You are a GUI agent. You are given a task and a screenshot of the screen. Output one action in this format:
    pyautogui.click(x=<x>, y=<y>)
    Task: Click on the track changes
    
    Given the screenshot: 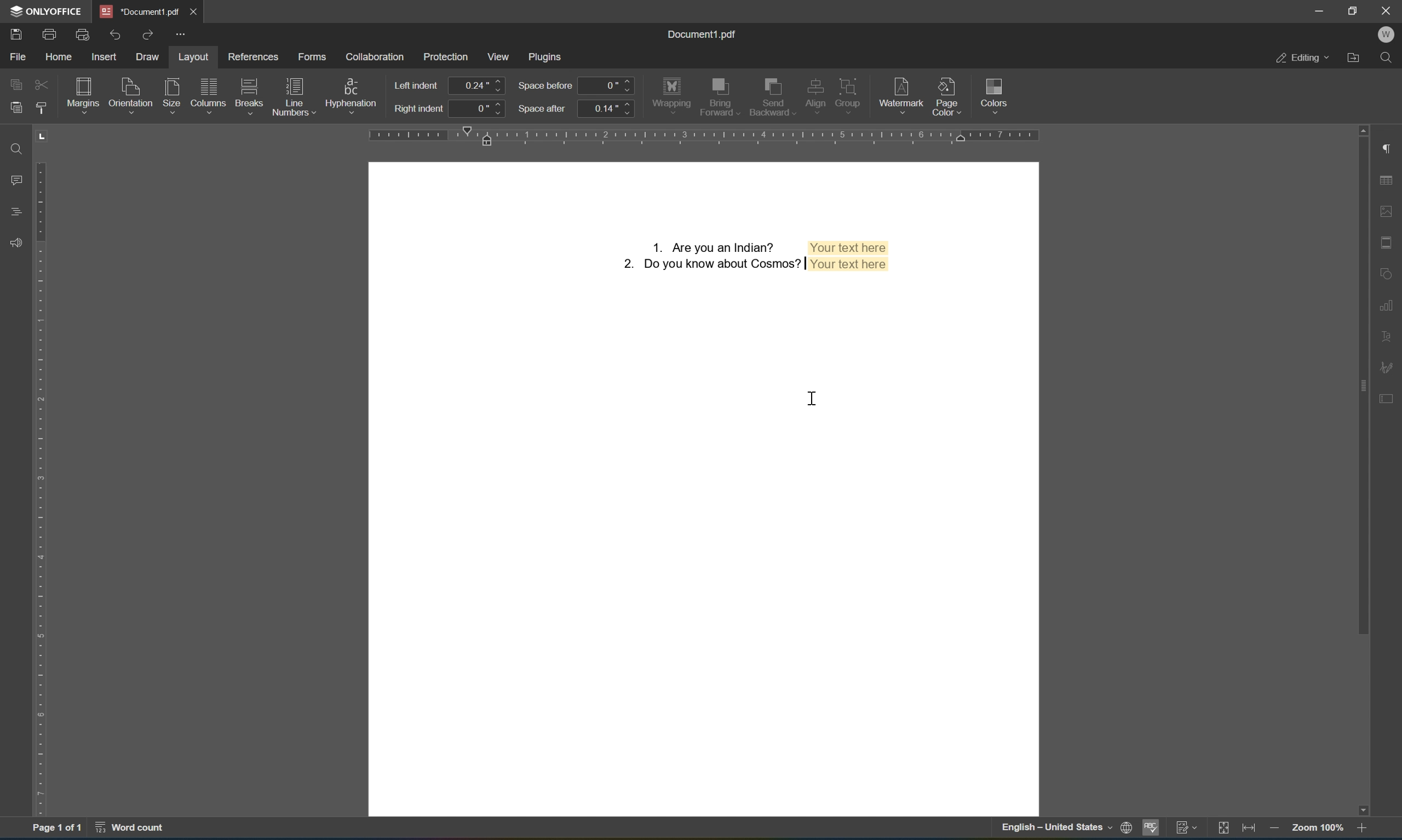 What is the action you would take?
    pyautogui.click(x=1187, y=830)
    